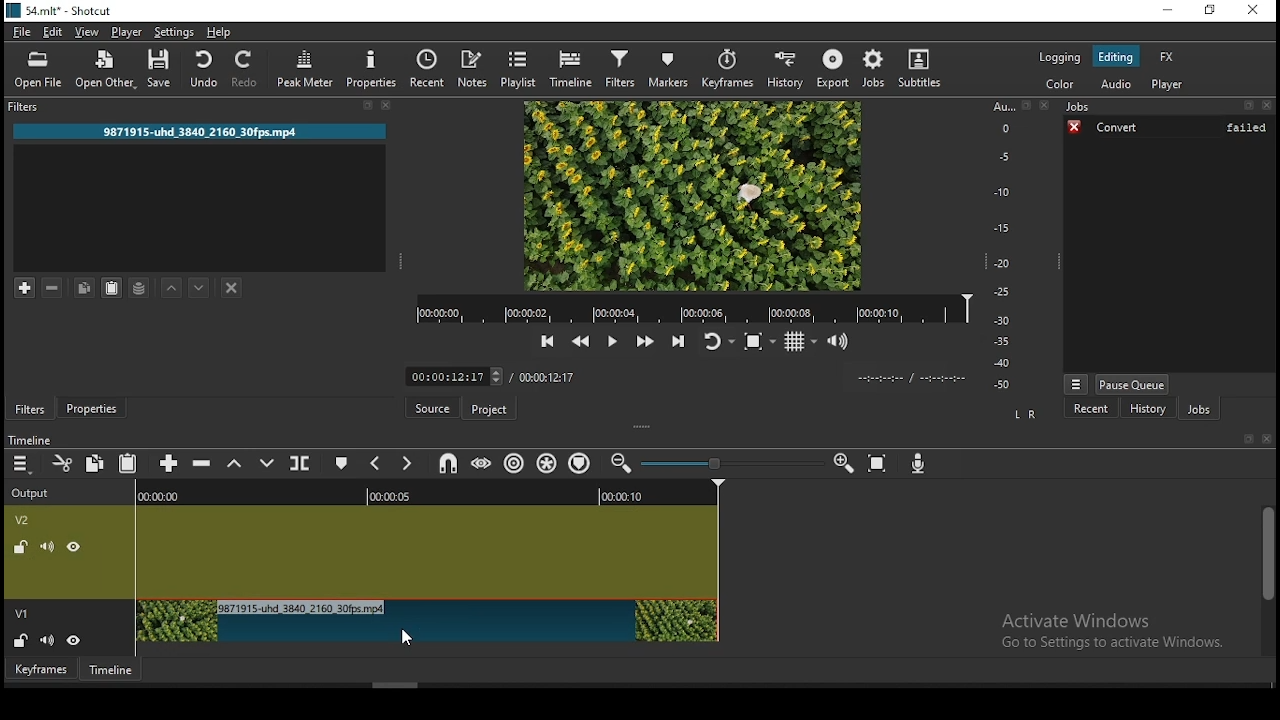 The image size is (1280, 720). Describe the element at coordinates (673, 69) in the screenshot. I see `markers` at that location.